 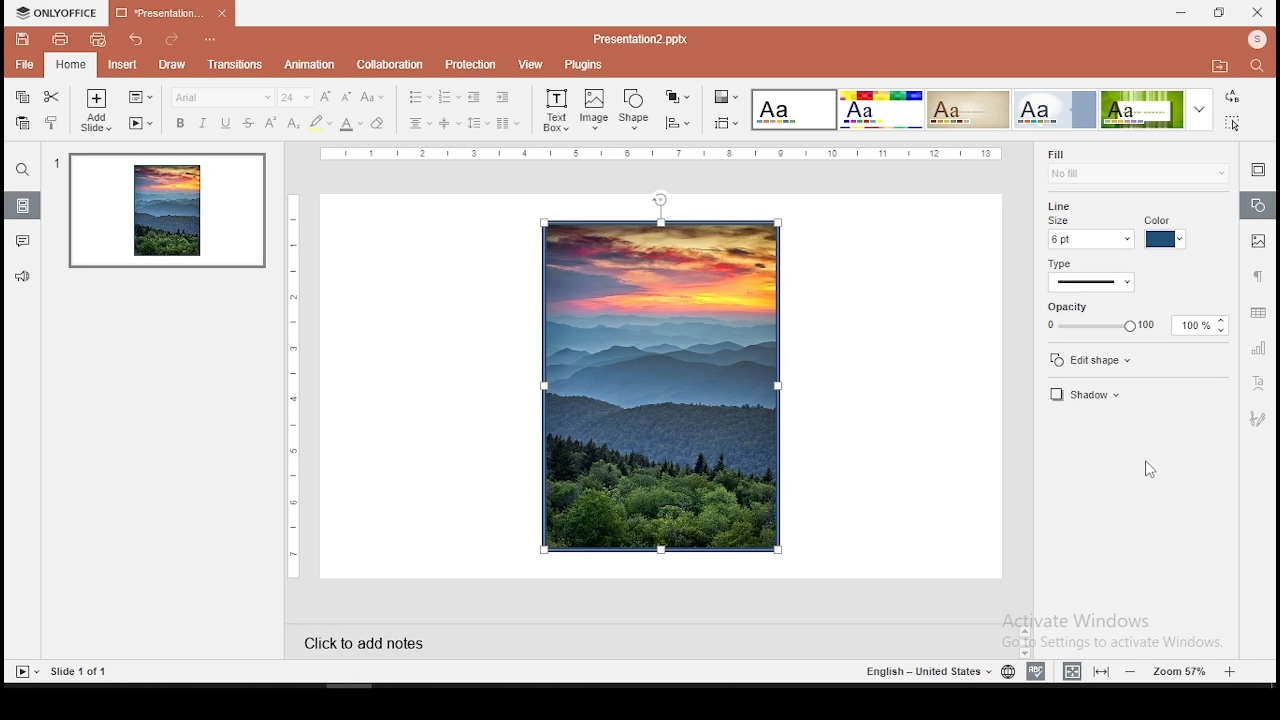 What do you see at coordinates (22, 278) in the screenshot?
I see `support and feedback` at bounding box center [22, 278].